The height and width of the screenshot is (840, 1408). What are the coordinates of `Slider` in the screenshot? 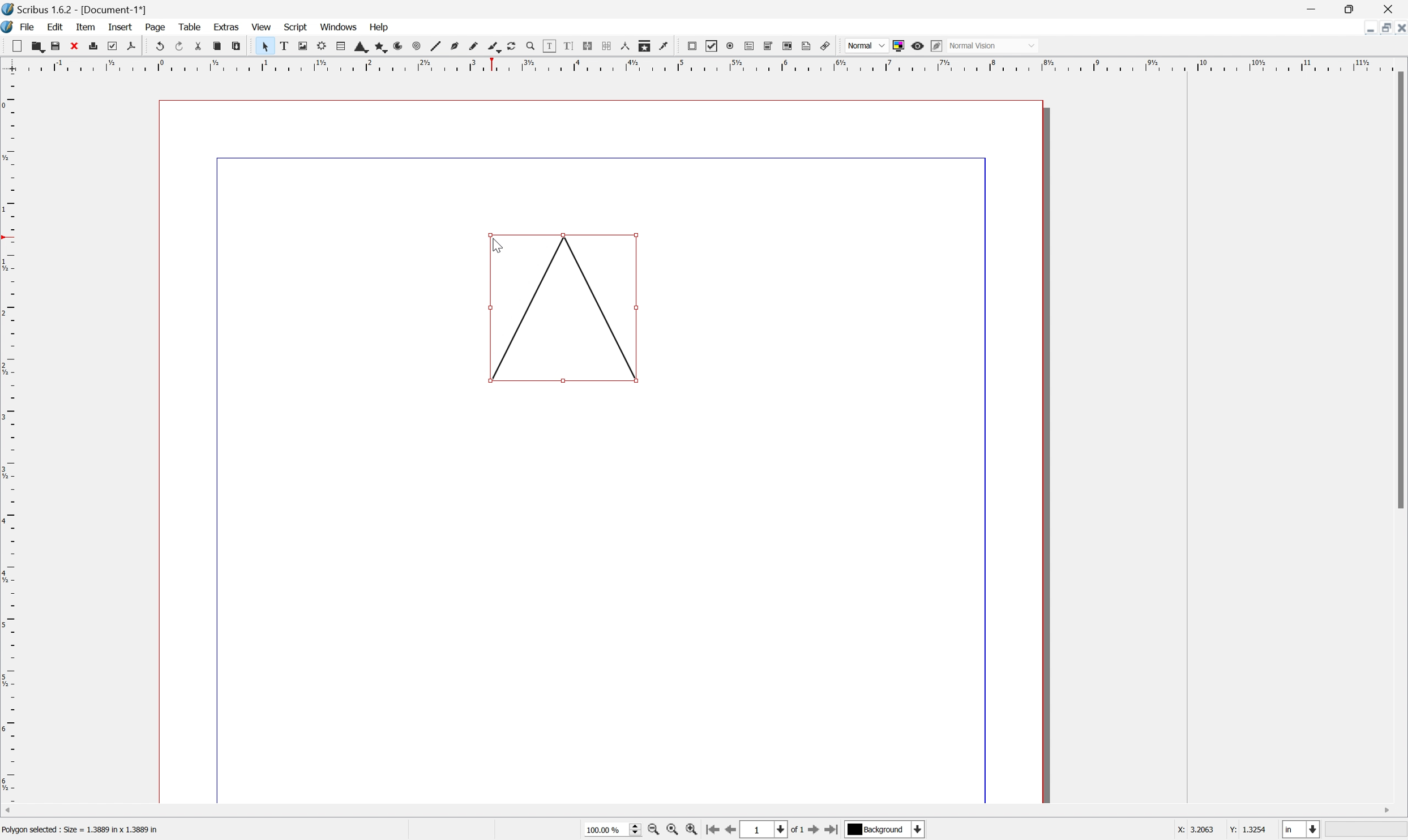 It's located at (631, 830).